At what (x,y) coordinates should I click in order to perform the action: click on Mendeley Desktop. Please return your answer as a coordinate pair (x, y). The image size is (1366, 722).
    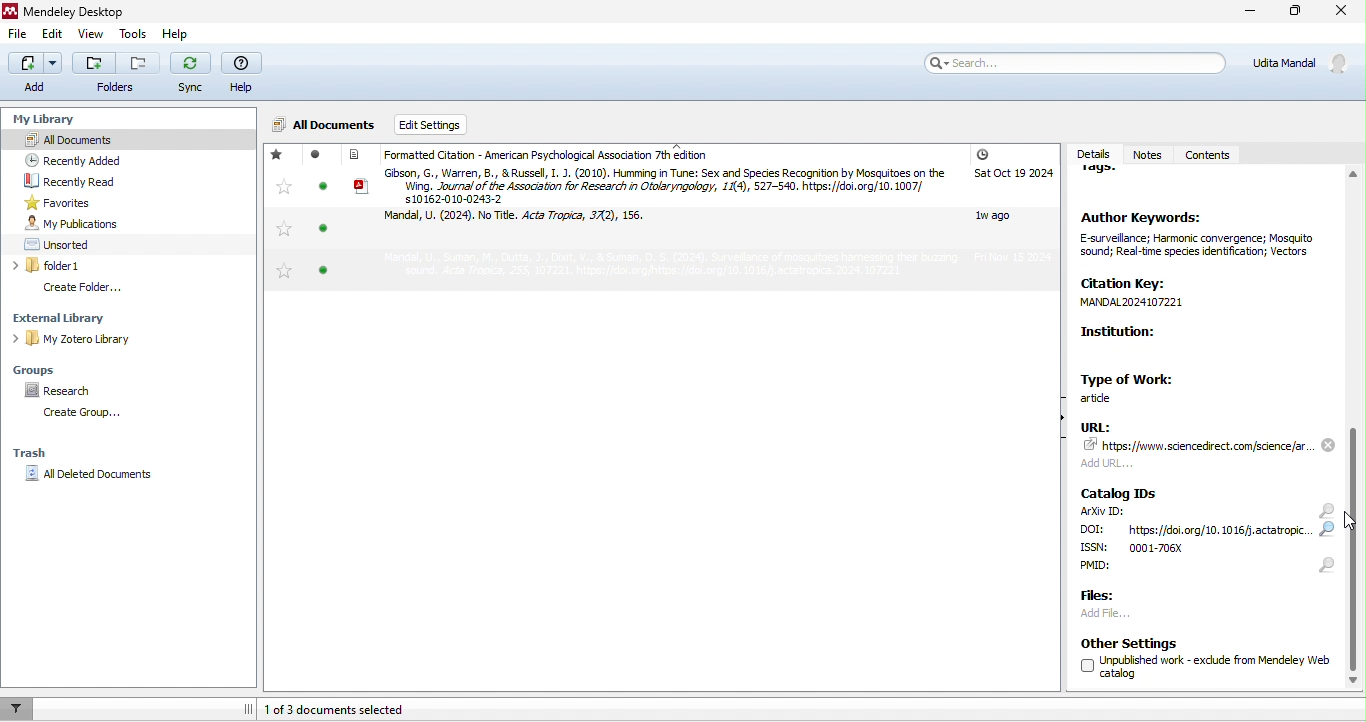
    Looking at the image, I should click on (68, 12).